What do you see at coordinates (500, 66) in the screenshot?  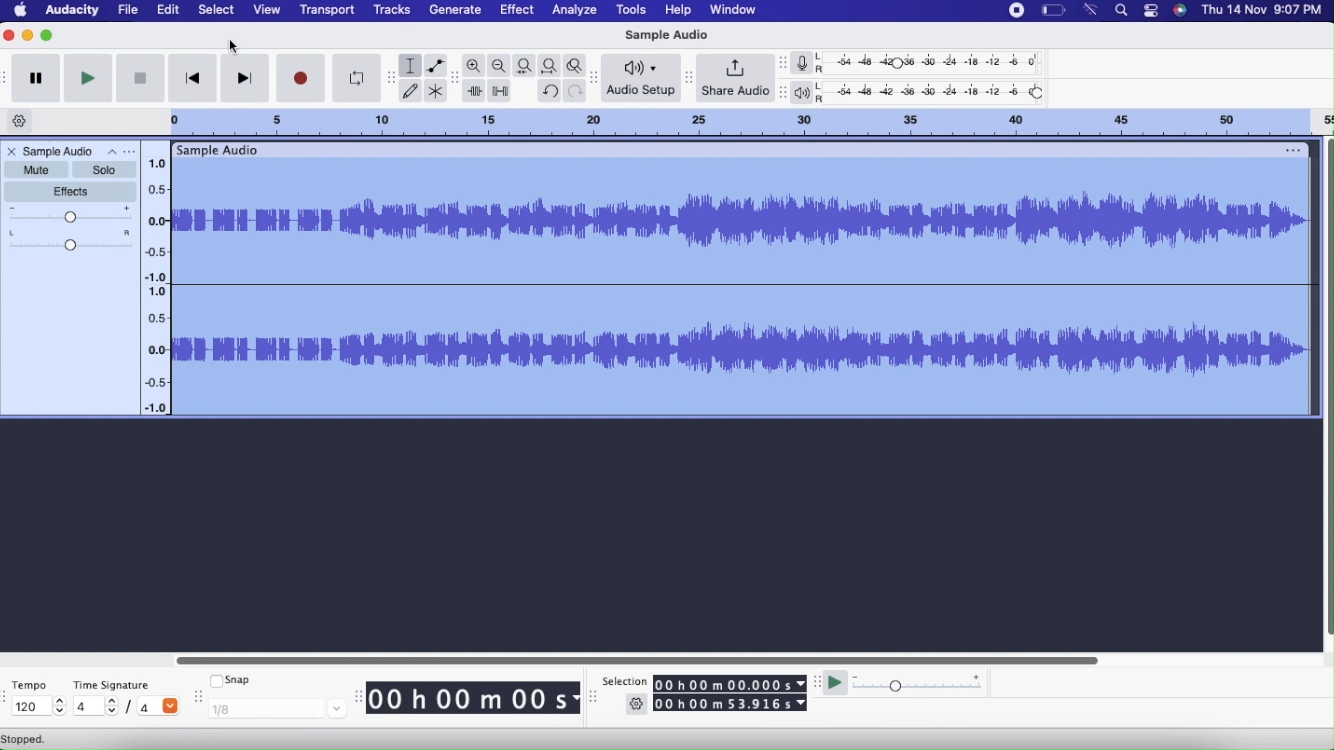 I see `Zoom out` at bounding box center [500, 66].